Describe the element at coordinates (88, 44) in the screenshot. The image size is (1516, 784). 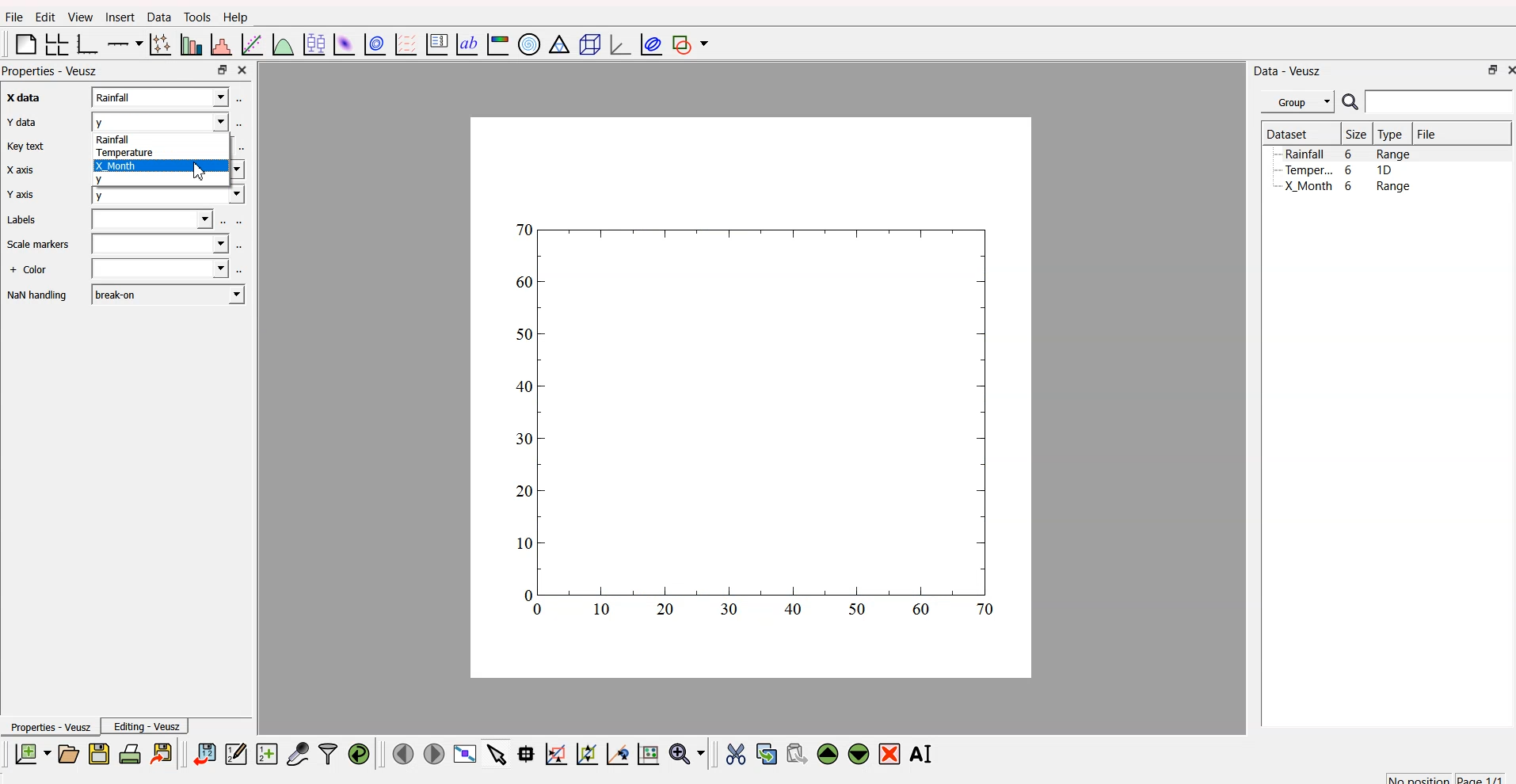
I see `base graph` at that location.